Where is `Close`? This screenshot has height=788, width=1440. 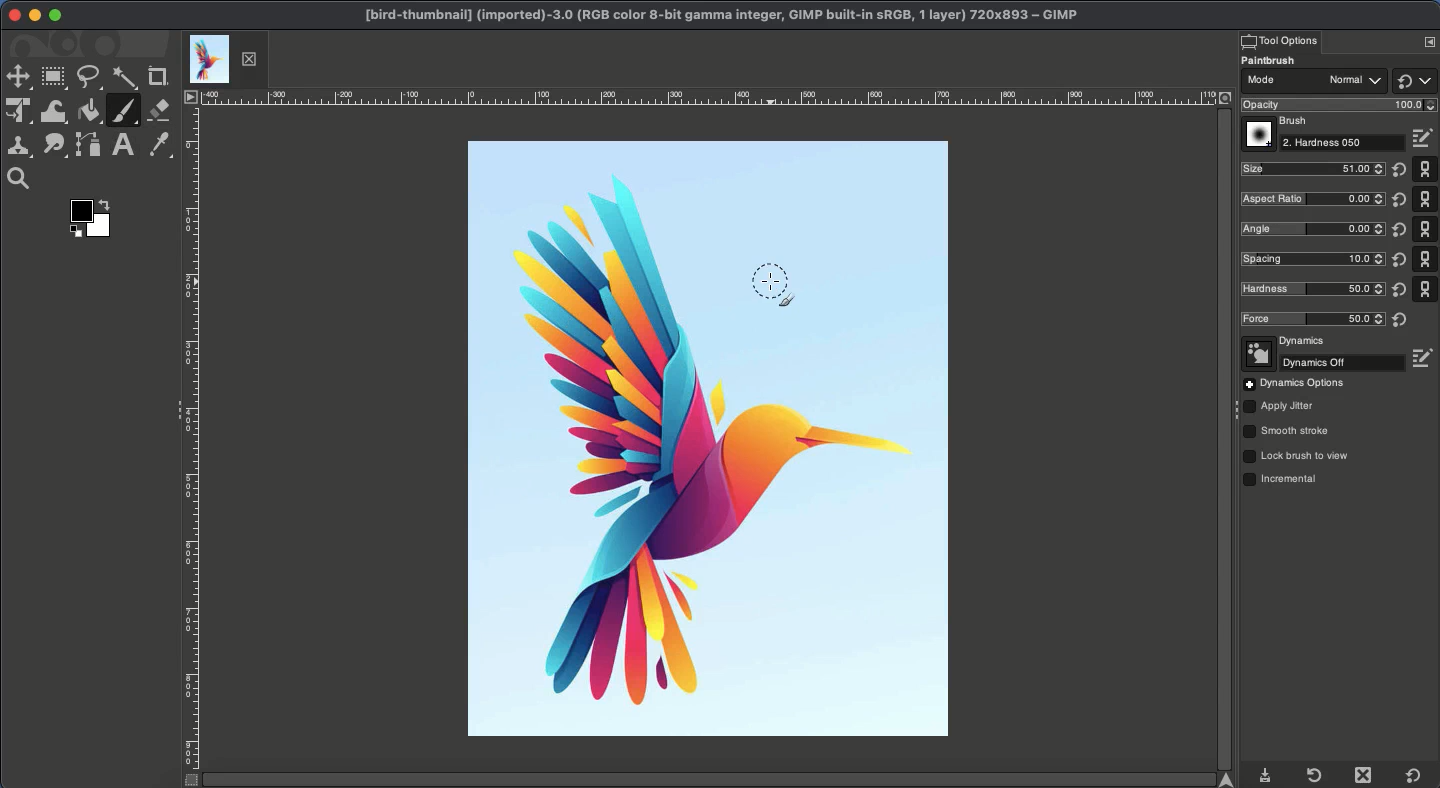 Close is located at coordinates (15, 16).